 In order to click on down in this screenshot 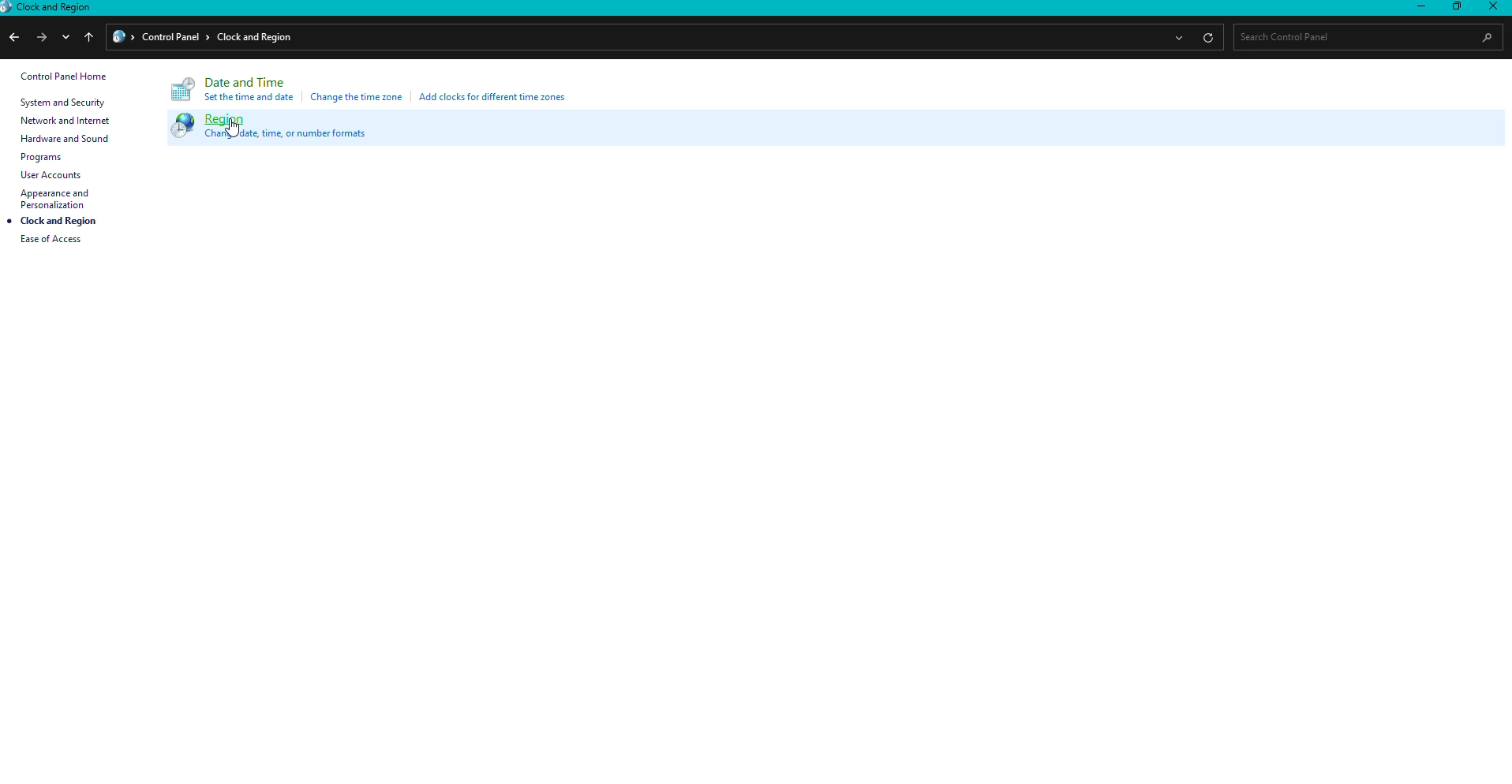, I will do `click(69, 40)`.